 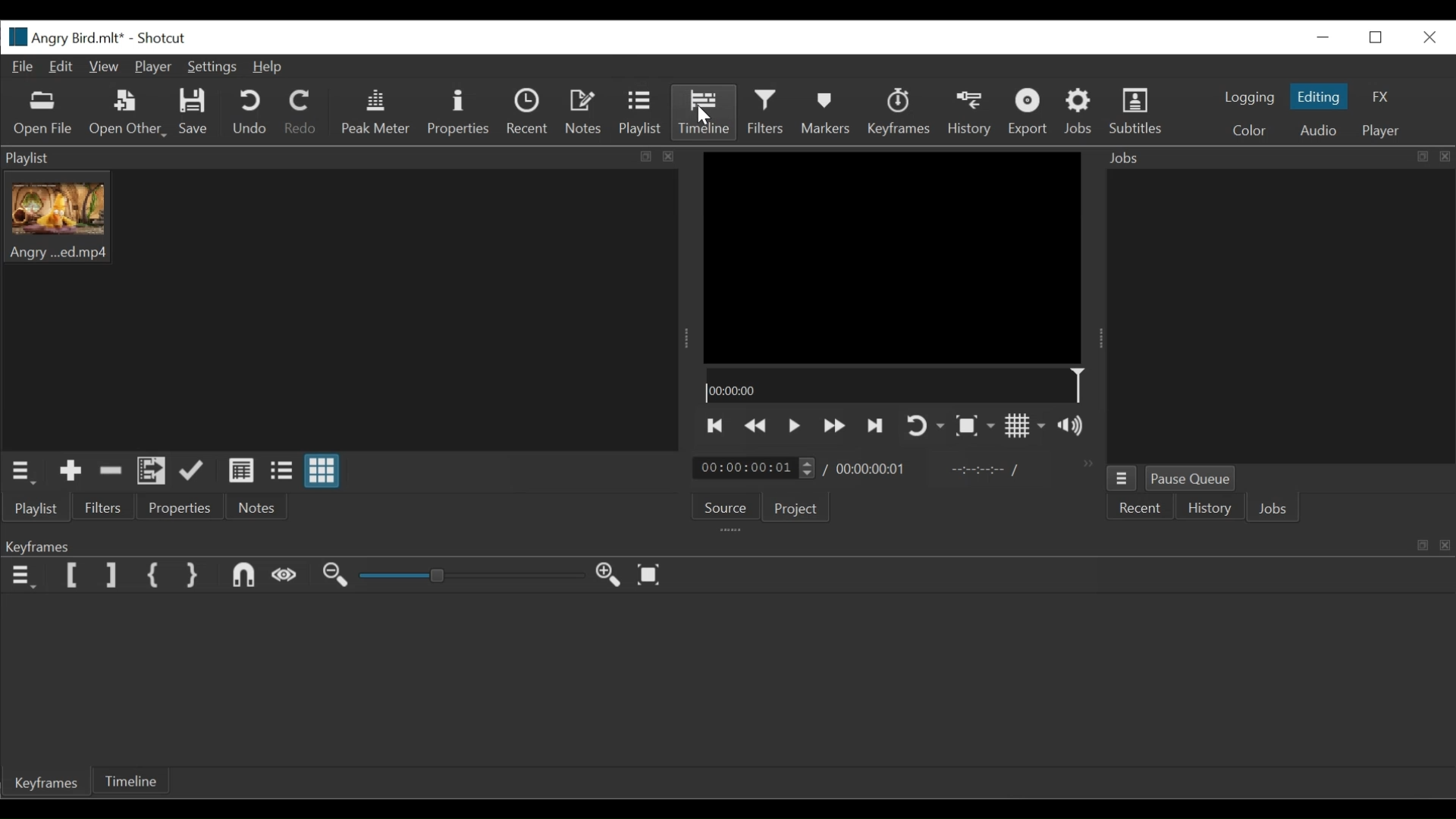 I want to click on Project, so click(x=799, y=510).